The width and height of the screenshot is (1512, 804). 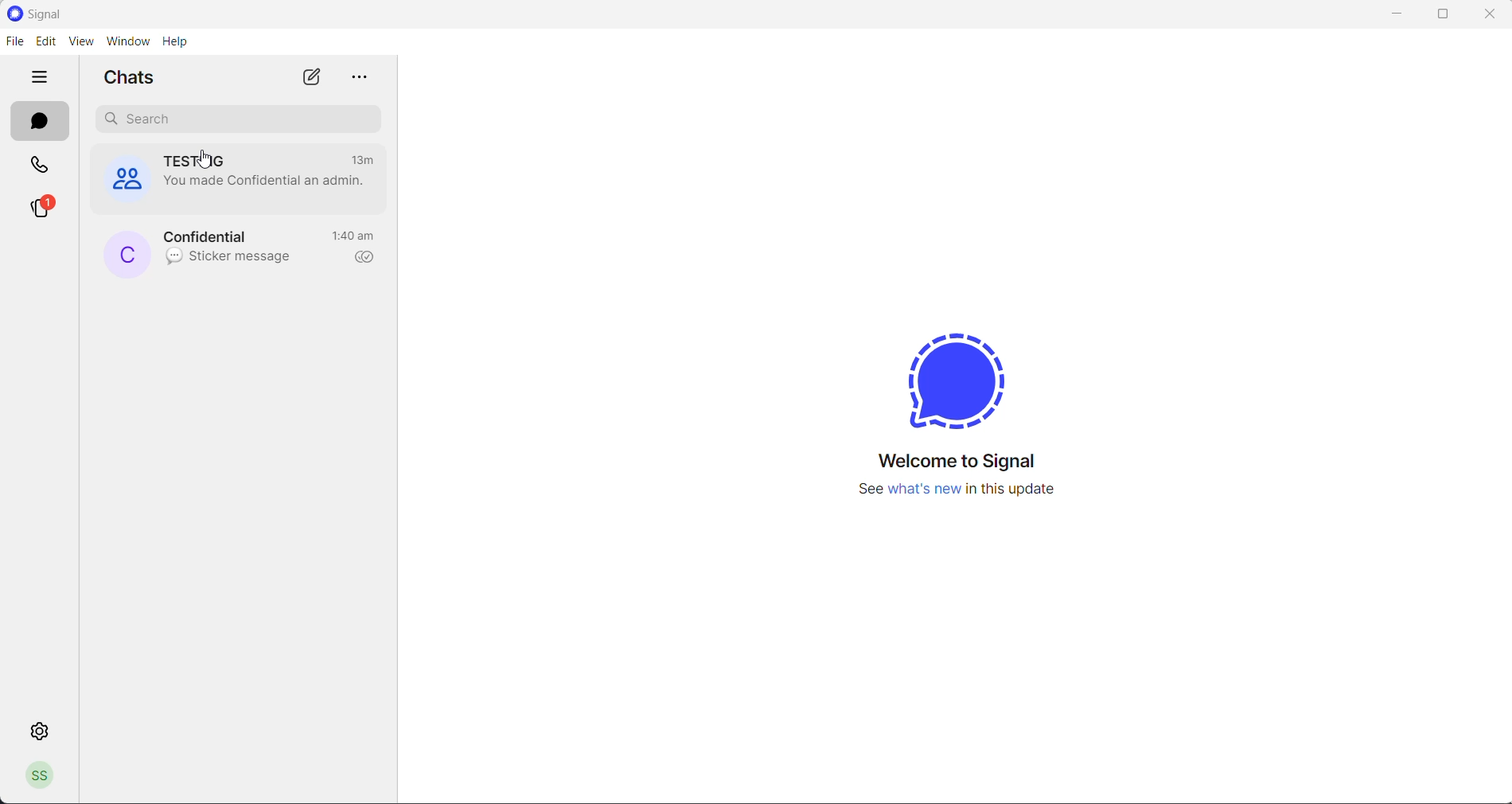 I want to click on signal logo, so click(x=958, y=373).